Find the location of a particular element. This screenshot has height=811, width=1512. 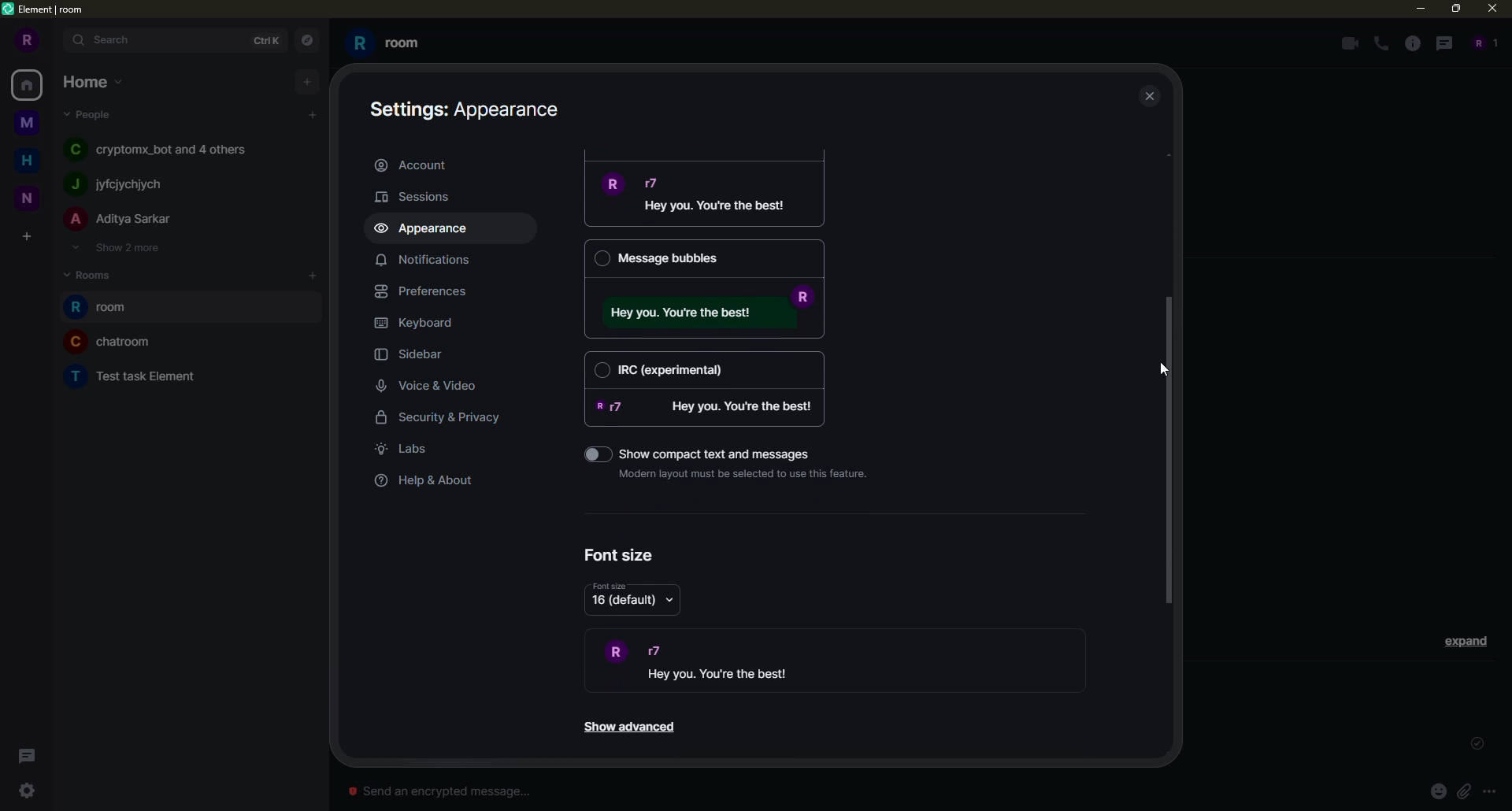

close is located at coordinates (1151, 98).